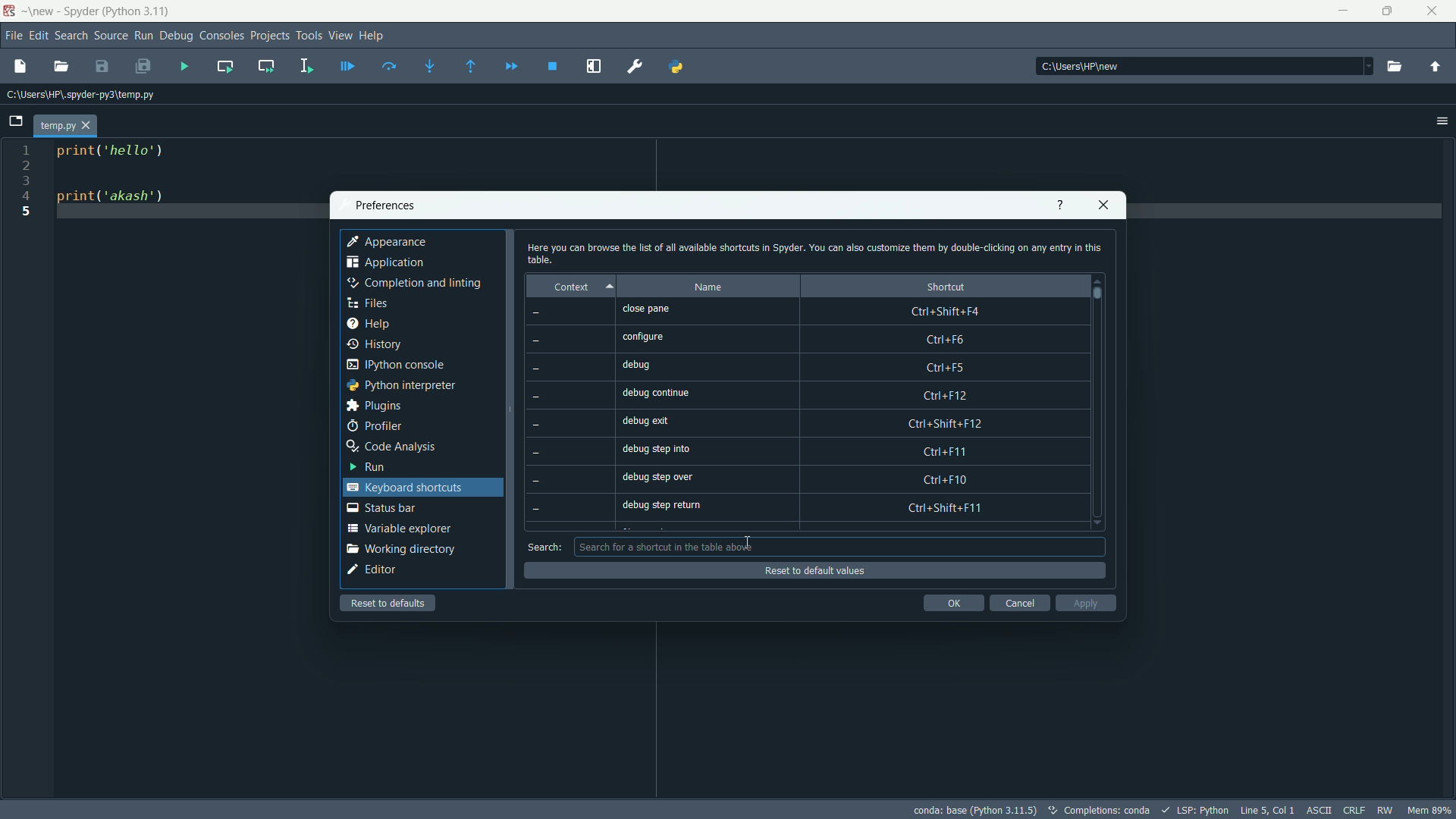  I want to click on cursor, so click(748, 542).